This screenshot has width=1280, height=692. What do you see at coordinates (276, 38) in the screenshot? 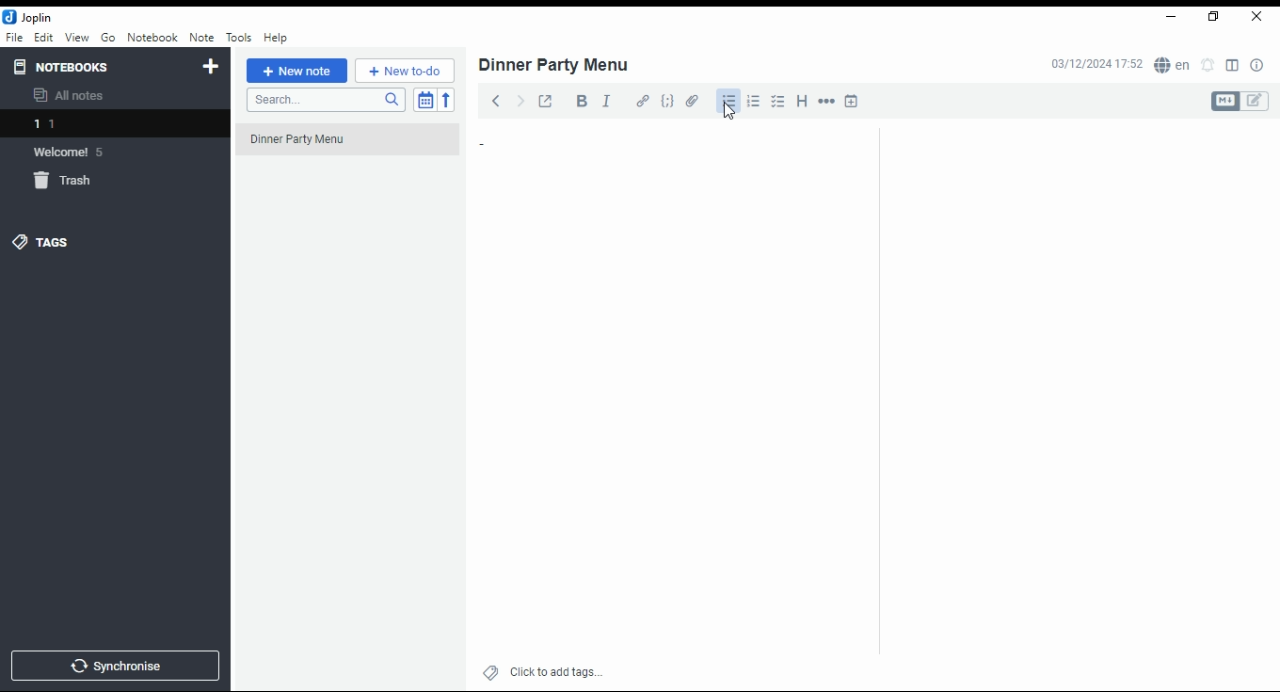
I see `help` at bounding box center [276, 38].